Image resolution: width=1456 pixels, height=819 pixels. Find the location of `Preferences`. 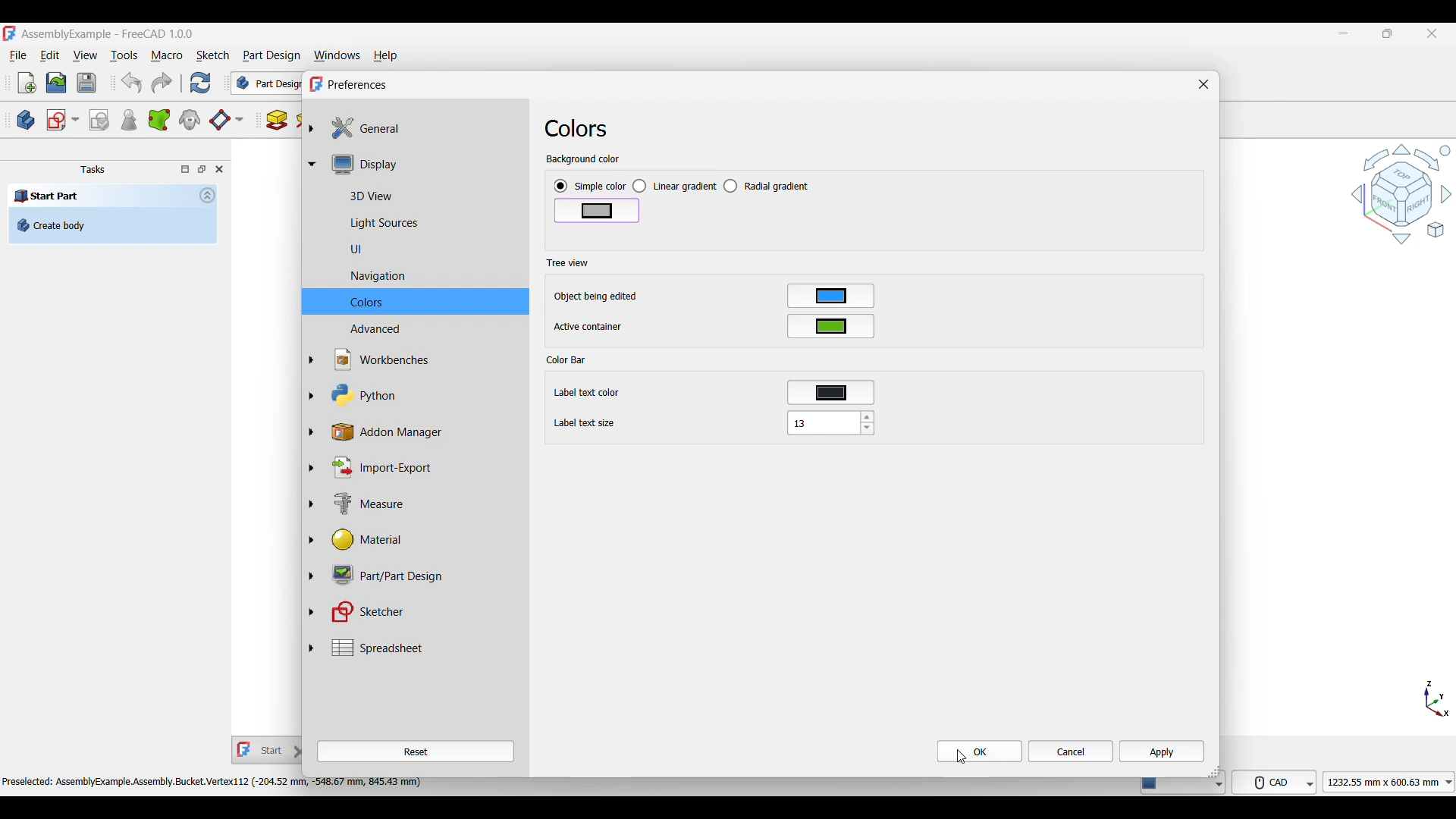

Preferences is located at coordinates (358, 85).